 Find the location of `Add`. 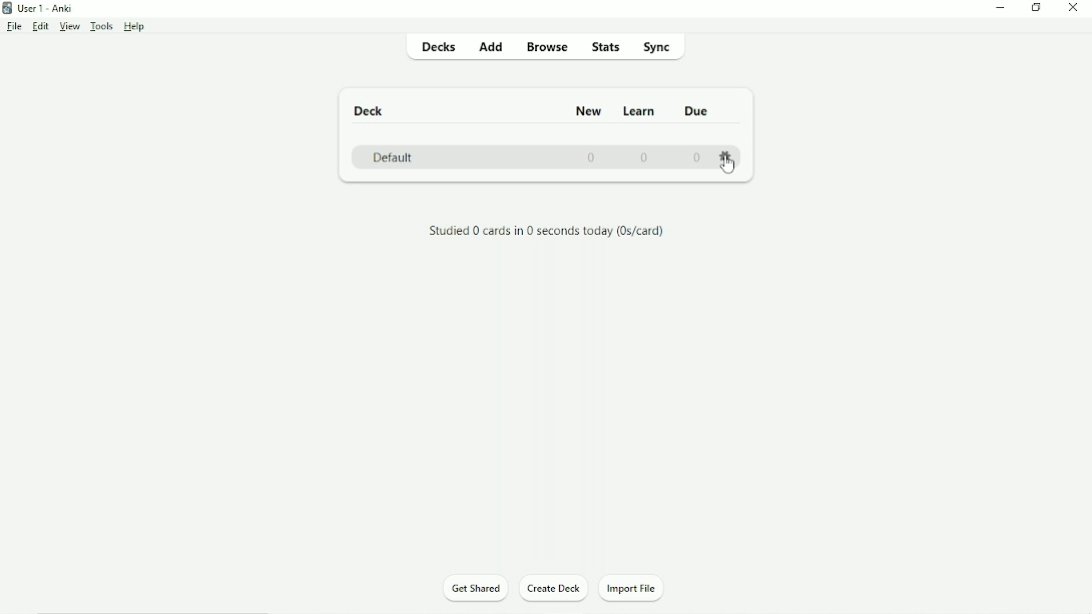

Add is located at coordinates (491, 46).